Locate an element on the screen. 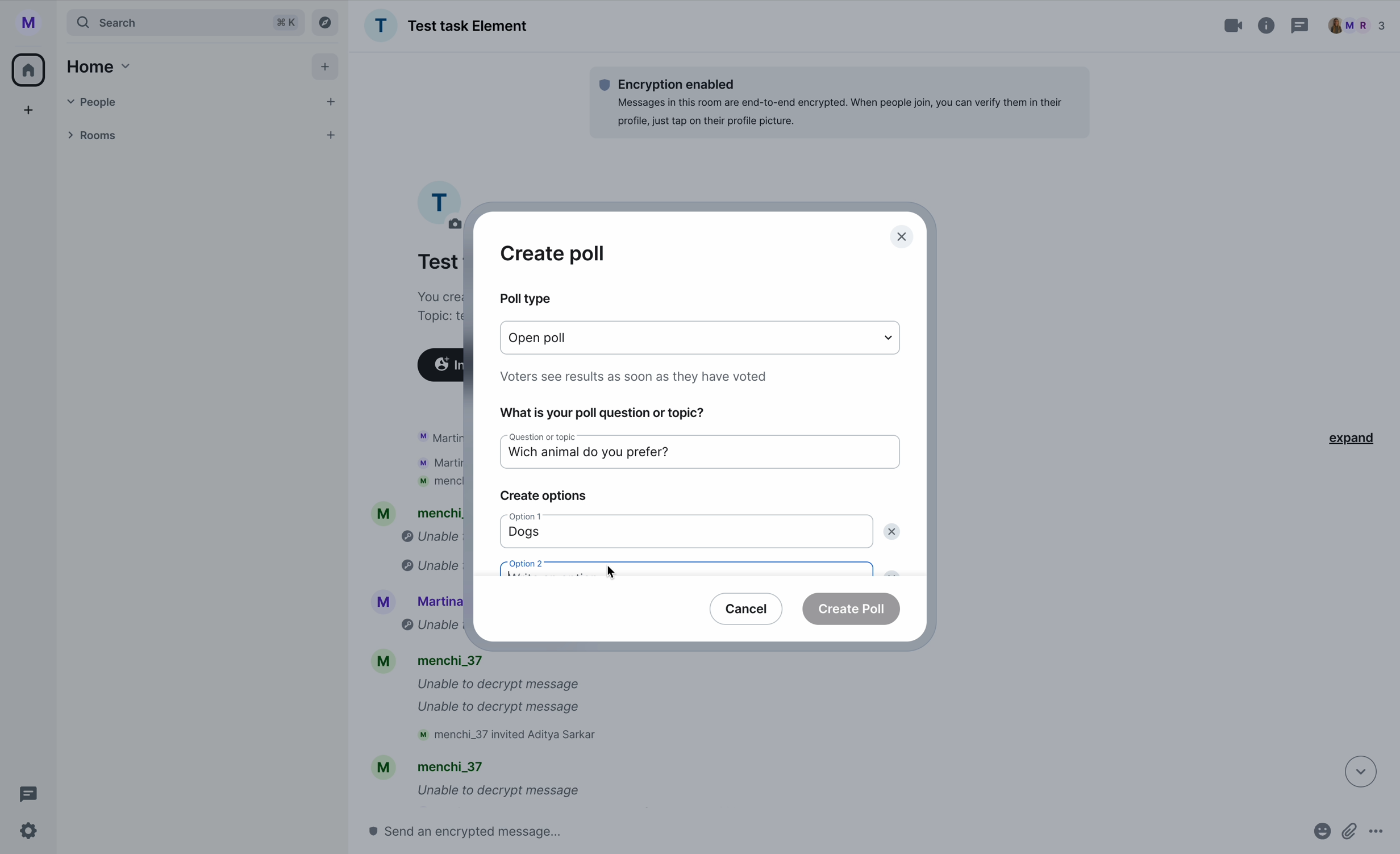  search tab is located at coordinates (185, 22).